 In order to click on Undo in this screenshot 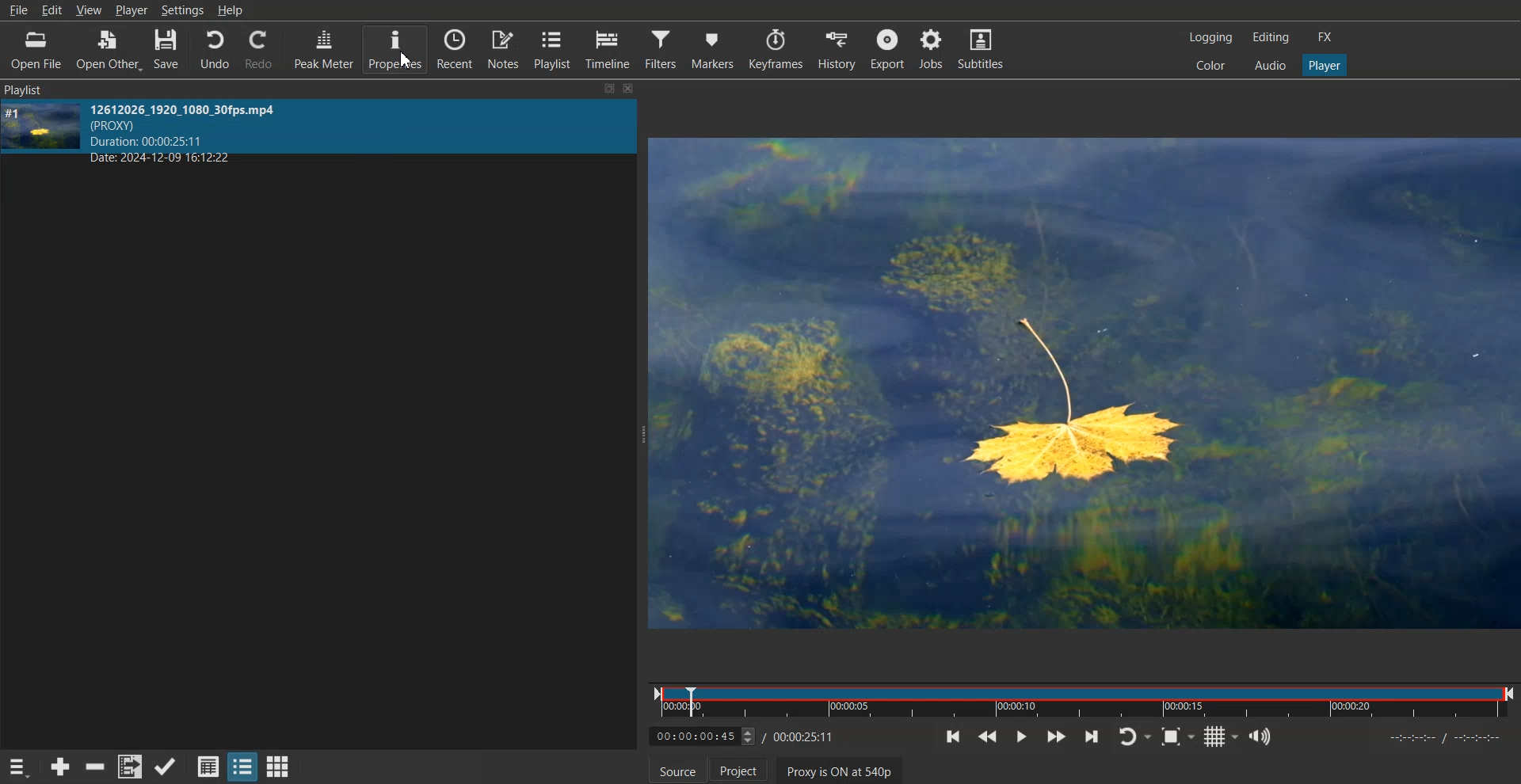, I will do `click(214, 48)`.